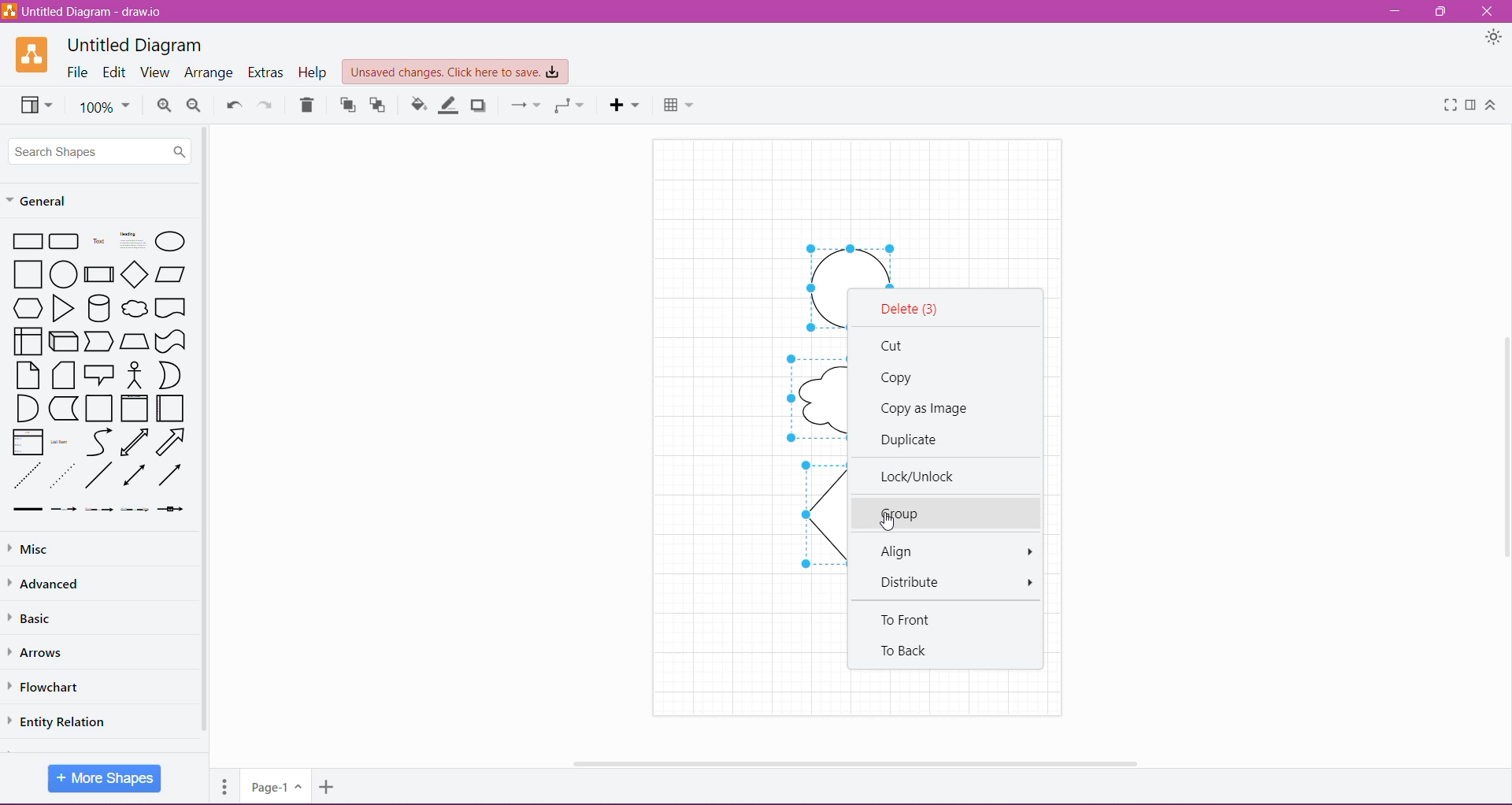  What do you see at coordinates (450, 105) in the screenshot?
I see `Line Color` at bounding box center [450, 105].